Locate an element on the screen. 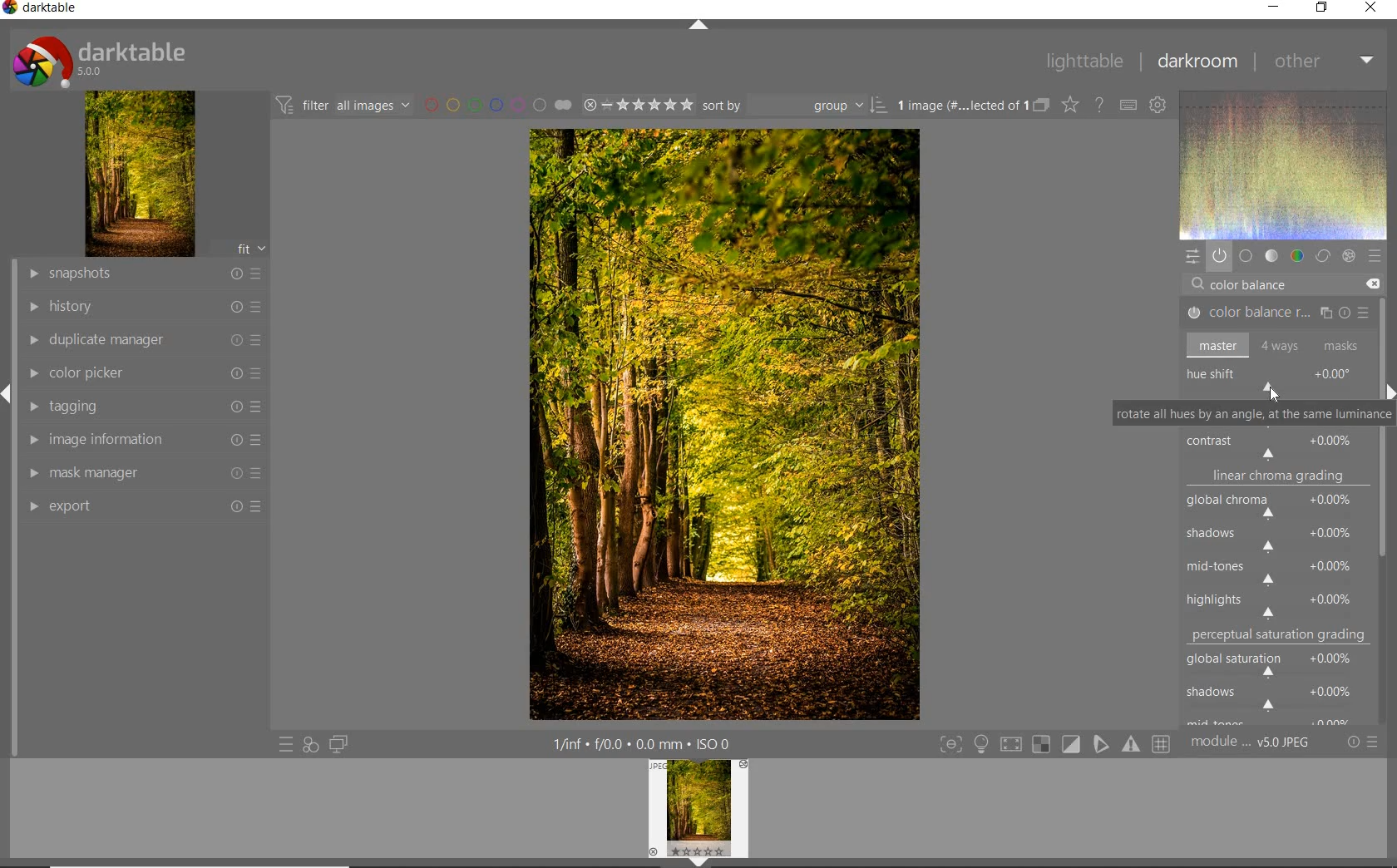  selected image is located at coordinates (723, 425).